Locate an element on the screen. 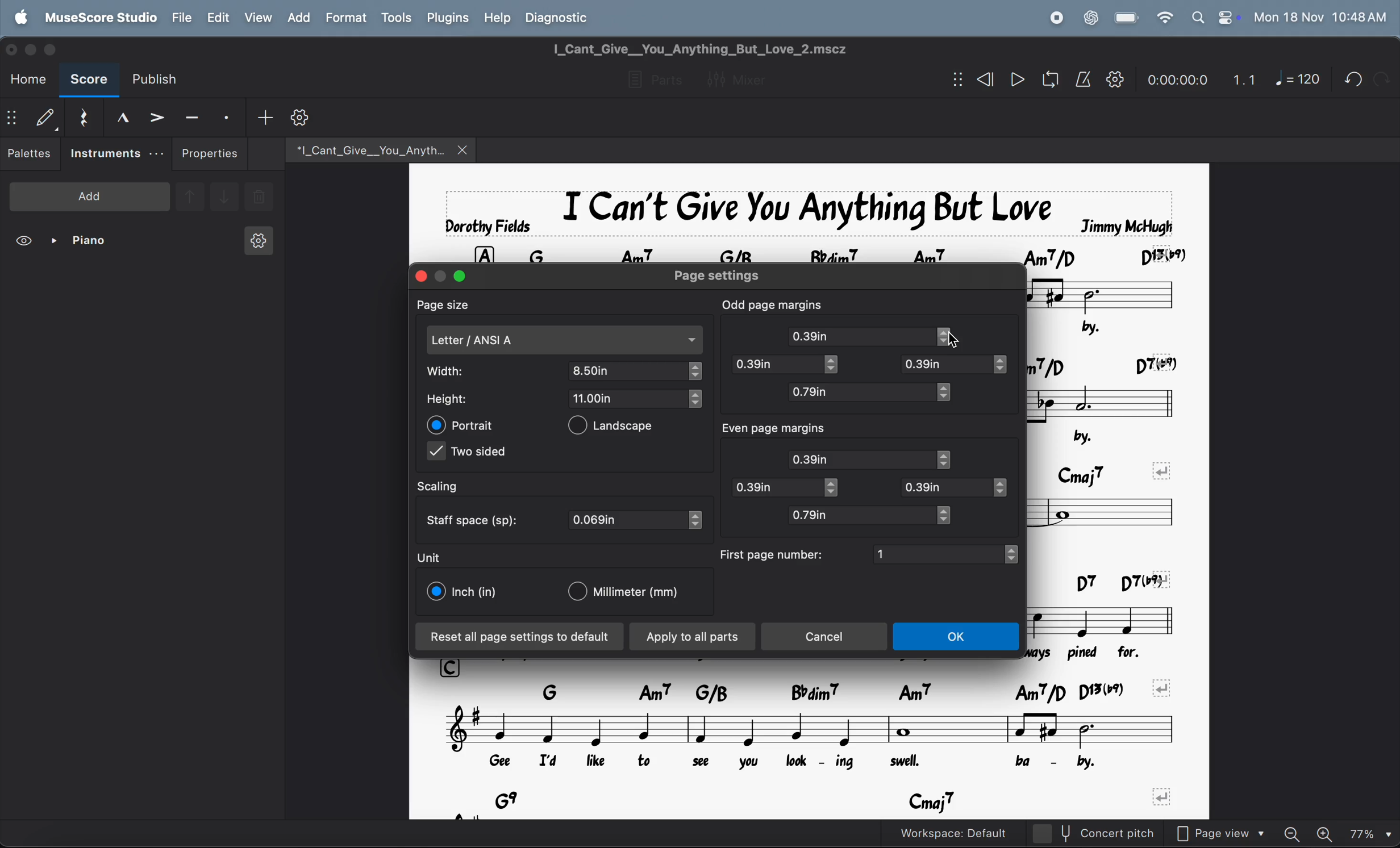  scaling is located at coordinates (449, 487).